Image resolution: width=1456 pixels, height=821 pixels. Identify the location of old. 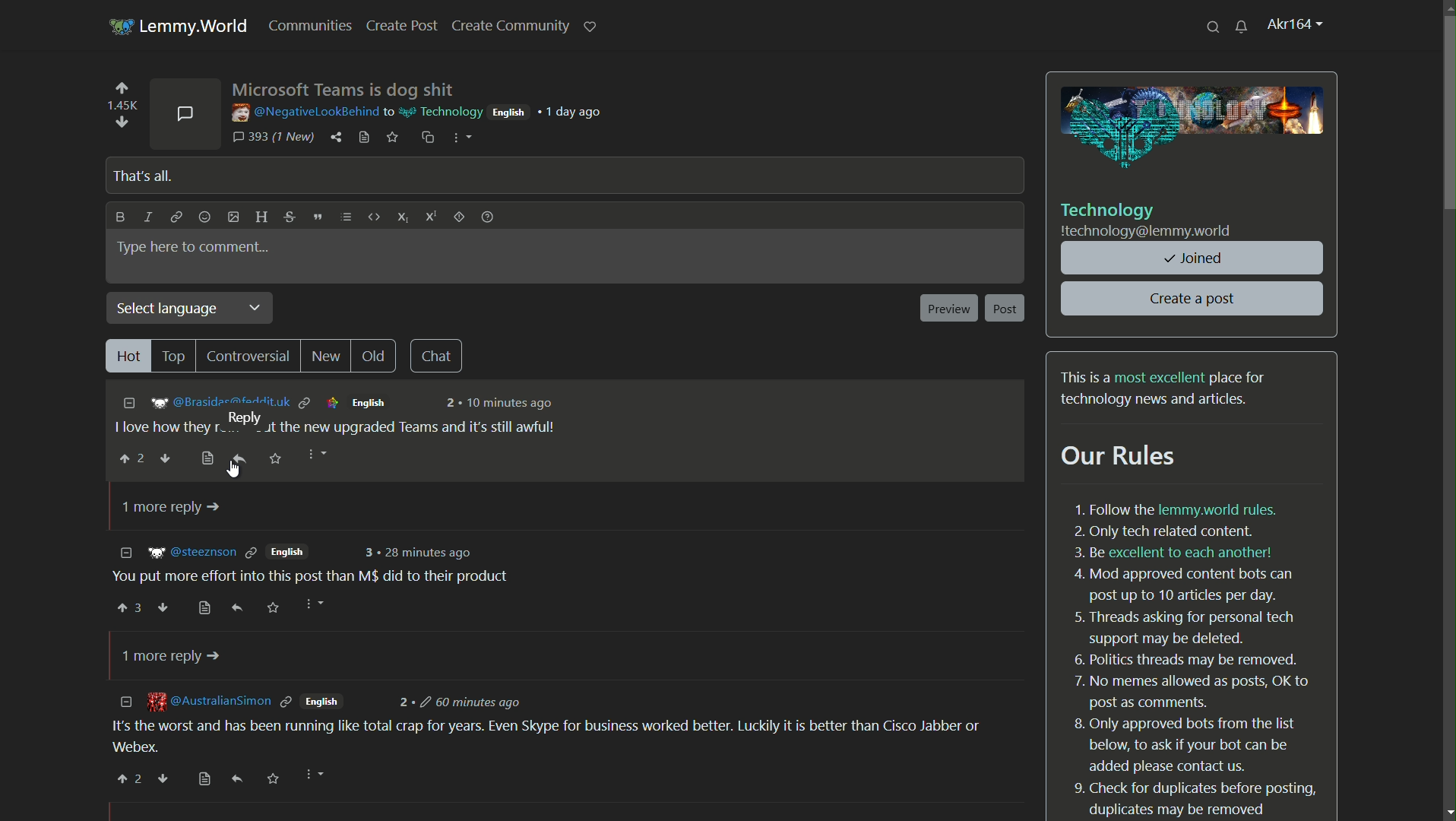
(378, 356).